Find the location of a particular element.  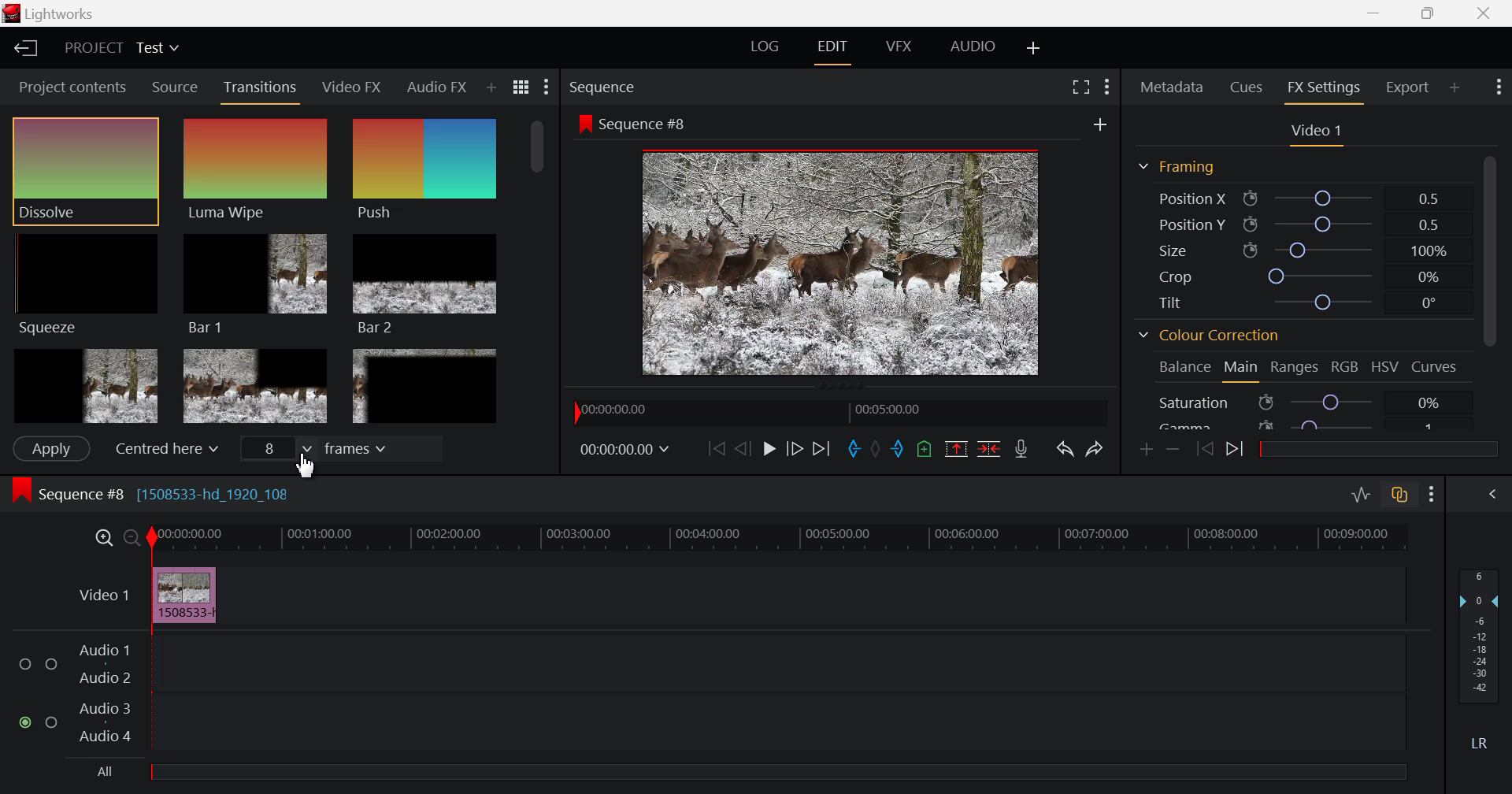

Add Layout is located at coordinates (1031, 46).